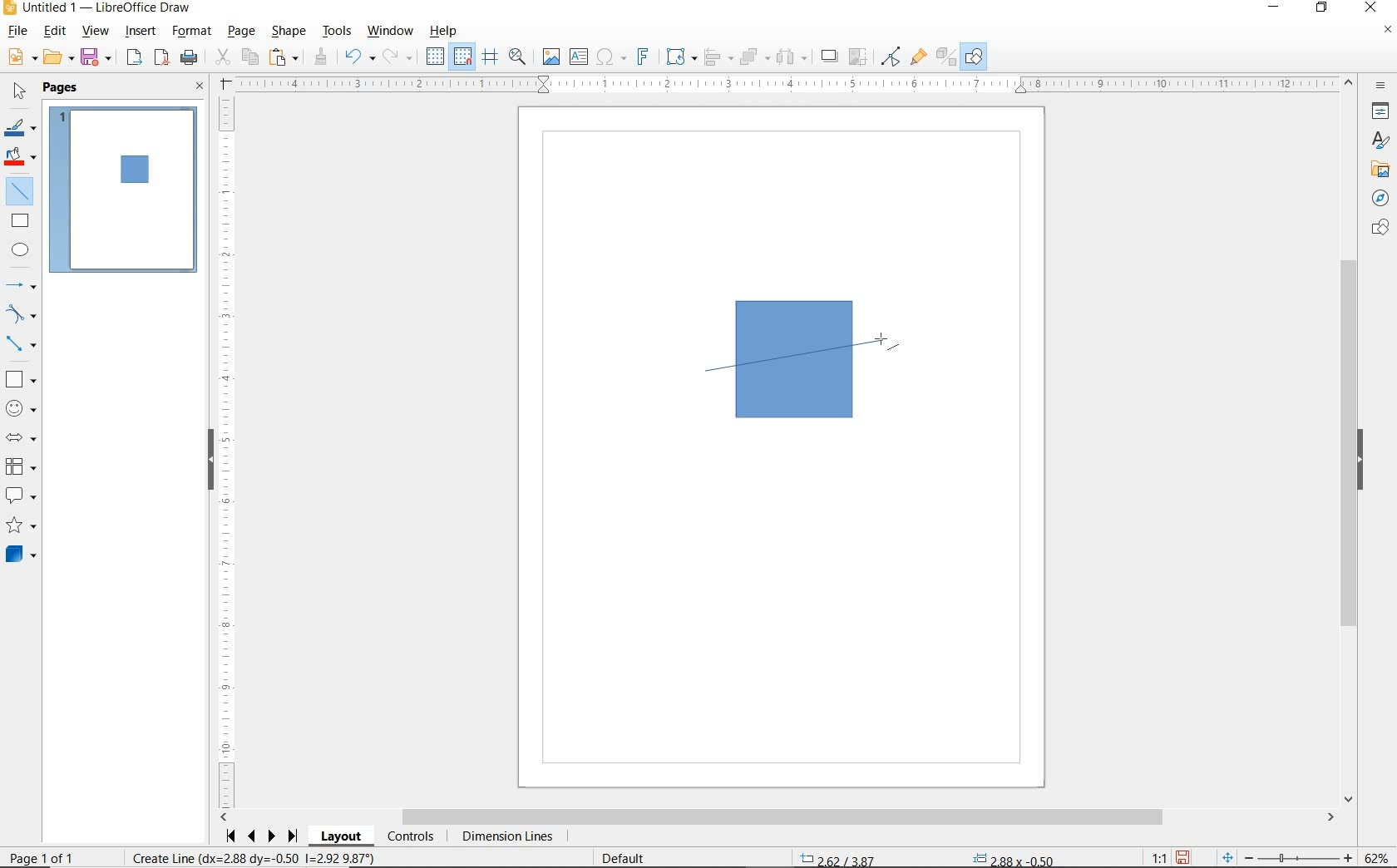 Image resolution: width=1397 pixels, height=868 pixels. Describe the element at coordinates (1378, 168) in the screenshot. I see `GALLERY` at that location.